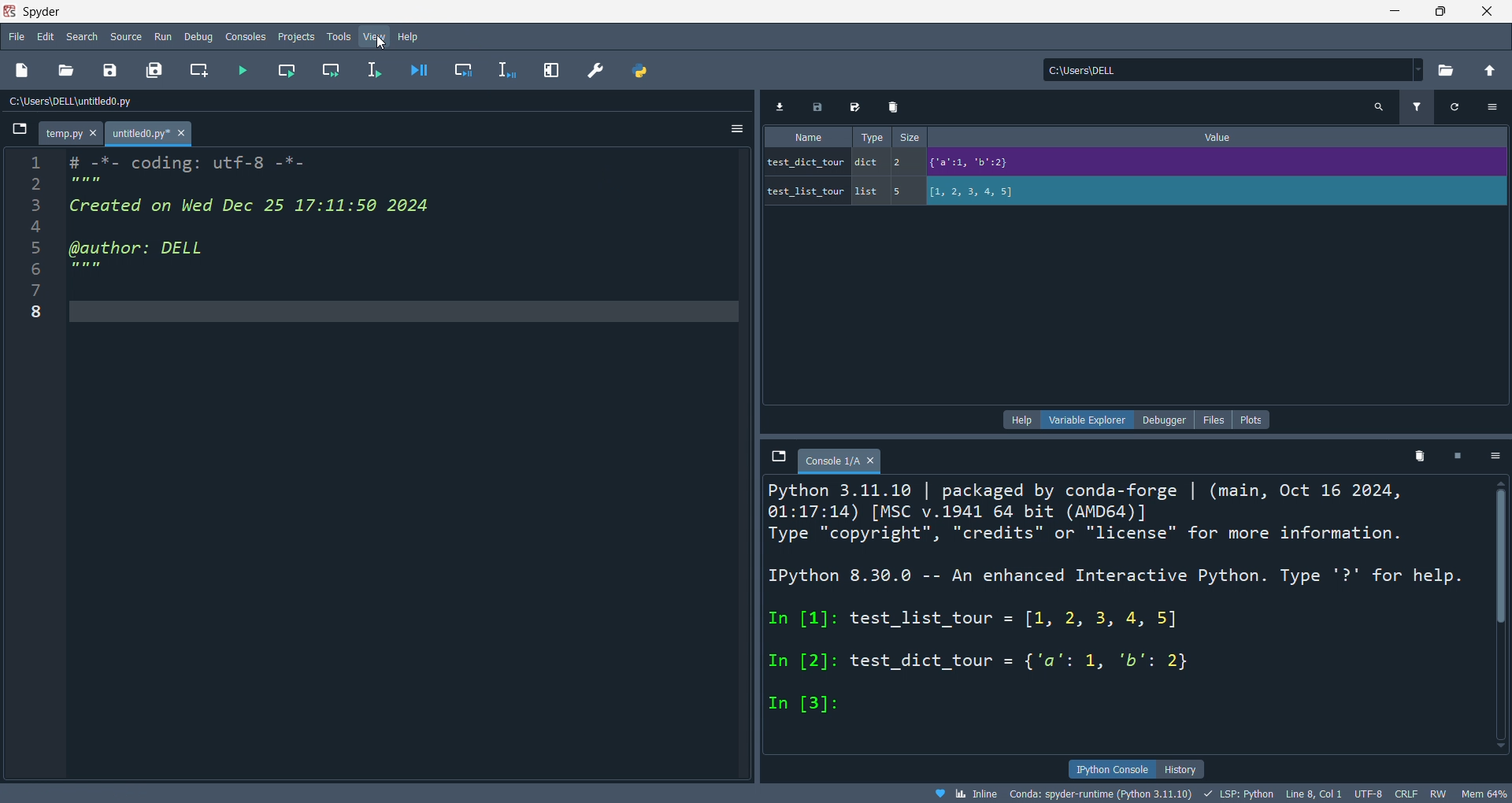  What do you see at coordinates (903, 161) in the screenshot?
I see `2` at bounding box center [903, 161].